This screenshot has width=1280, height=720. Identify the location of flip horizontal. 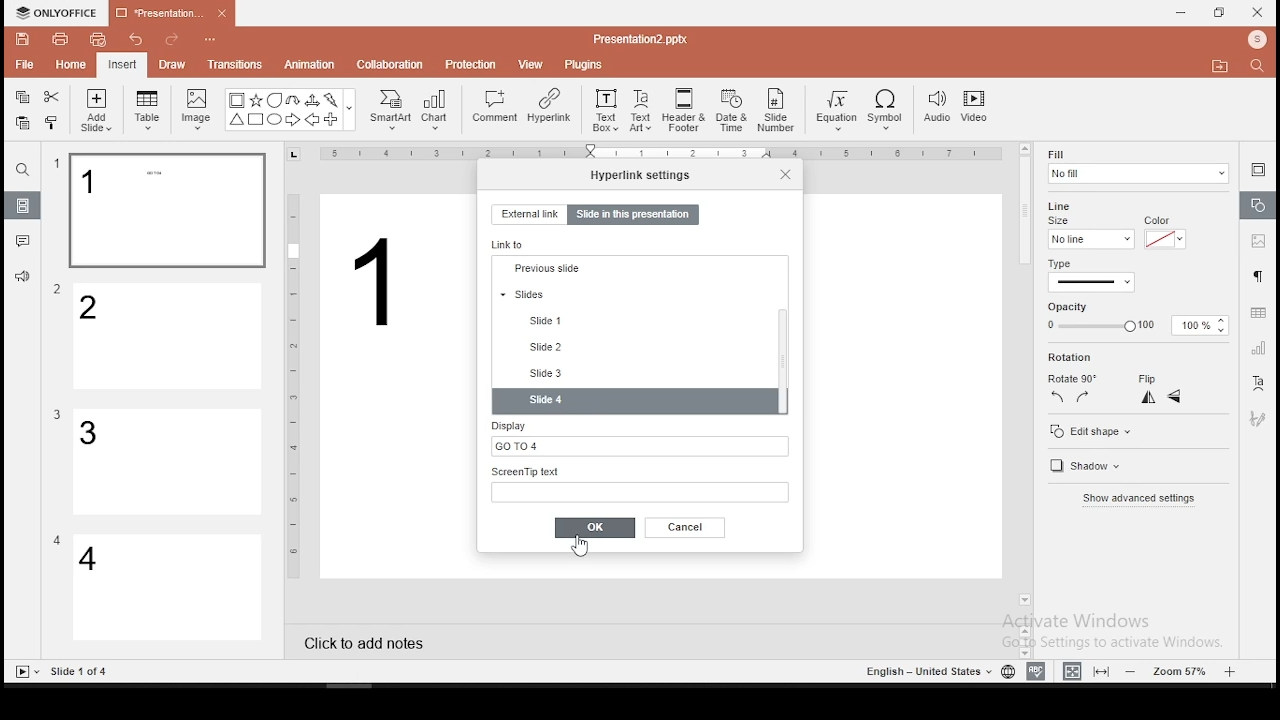
(1146, 397).